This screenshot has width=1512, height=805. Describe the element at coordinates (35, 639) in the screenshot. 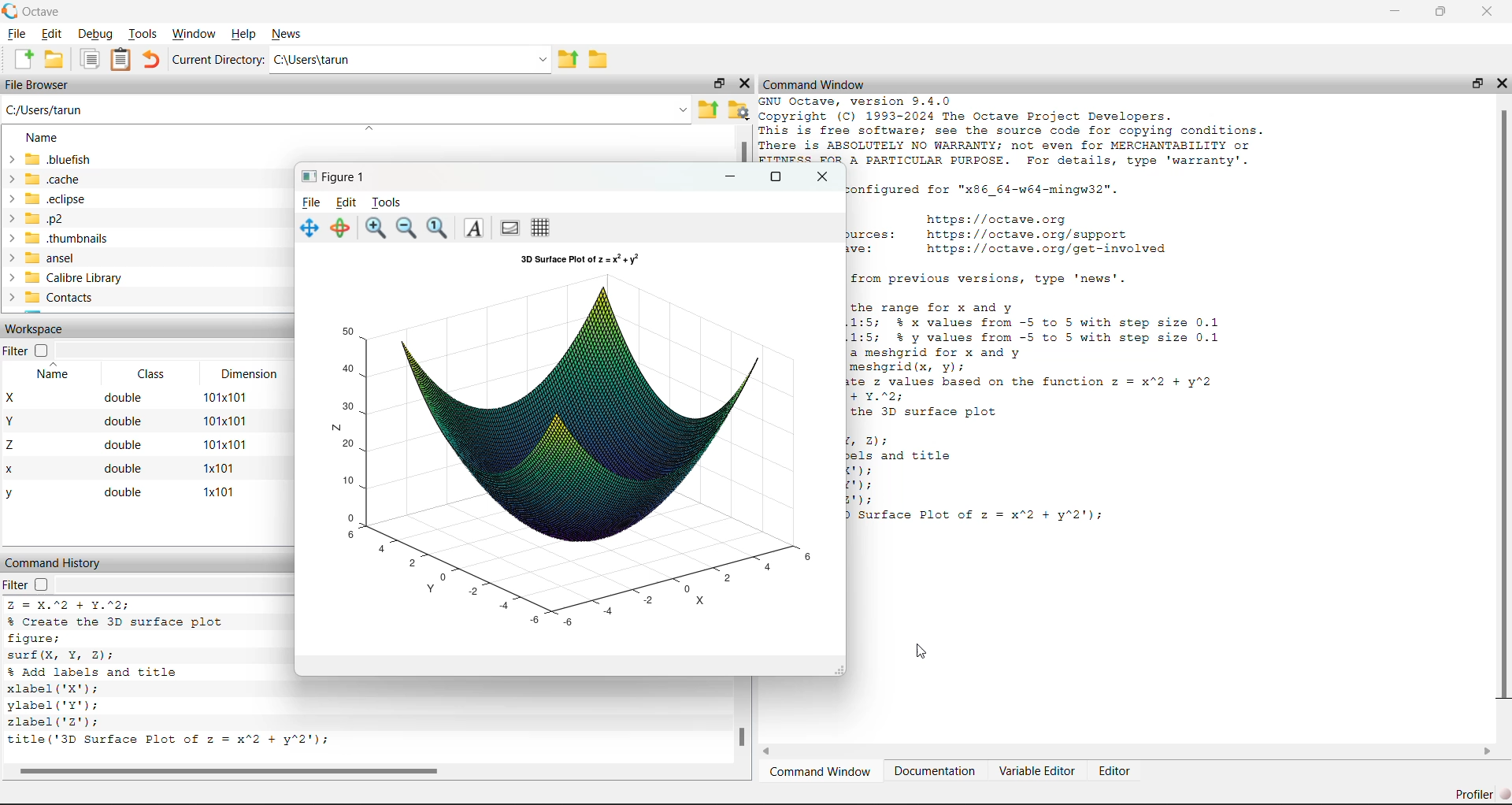

I see `figure;` at that location.